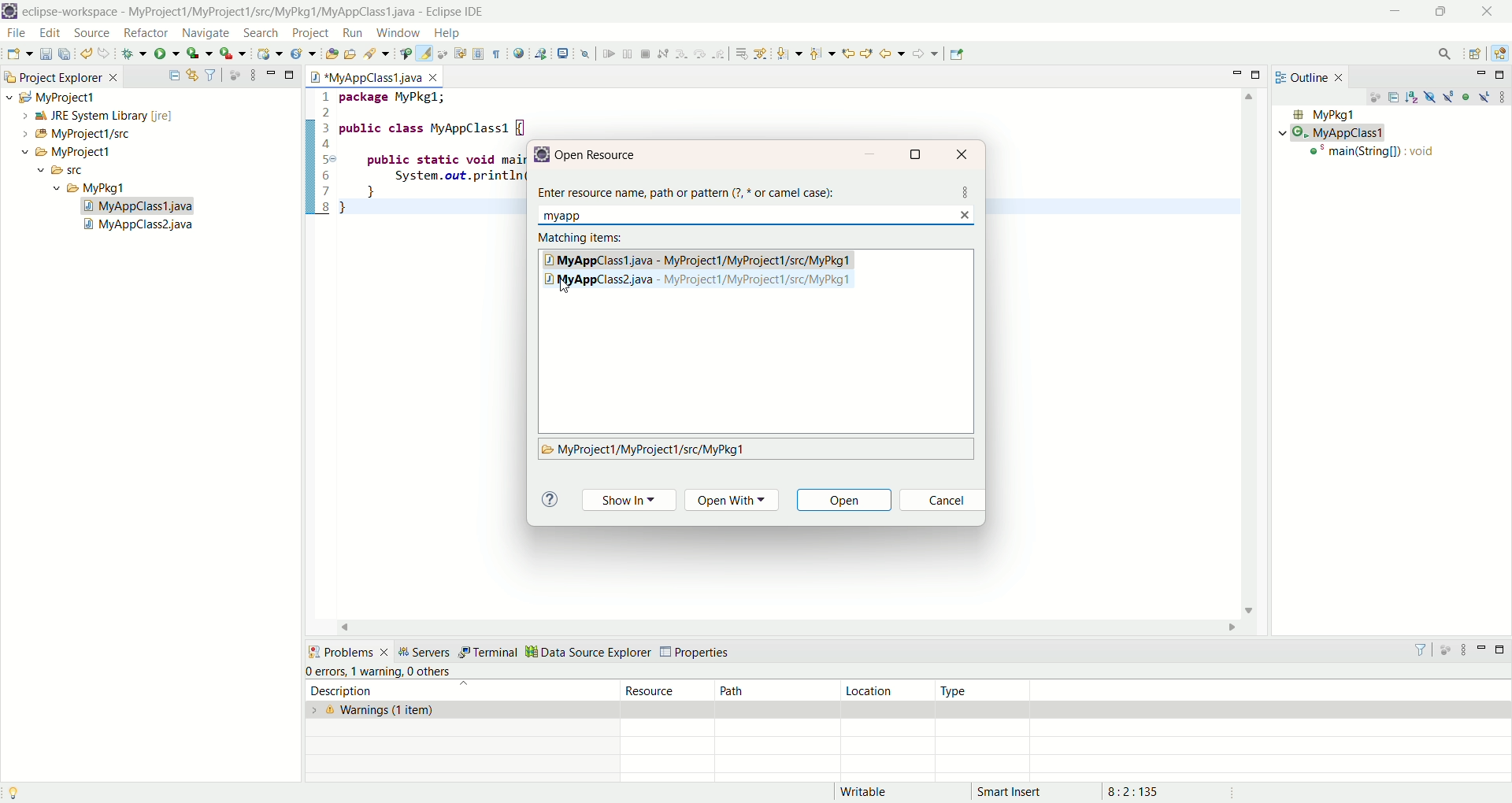 The image size is (1512, 803). I want to click on save, so click(46, 54).